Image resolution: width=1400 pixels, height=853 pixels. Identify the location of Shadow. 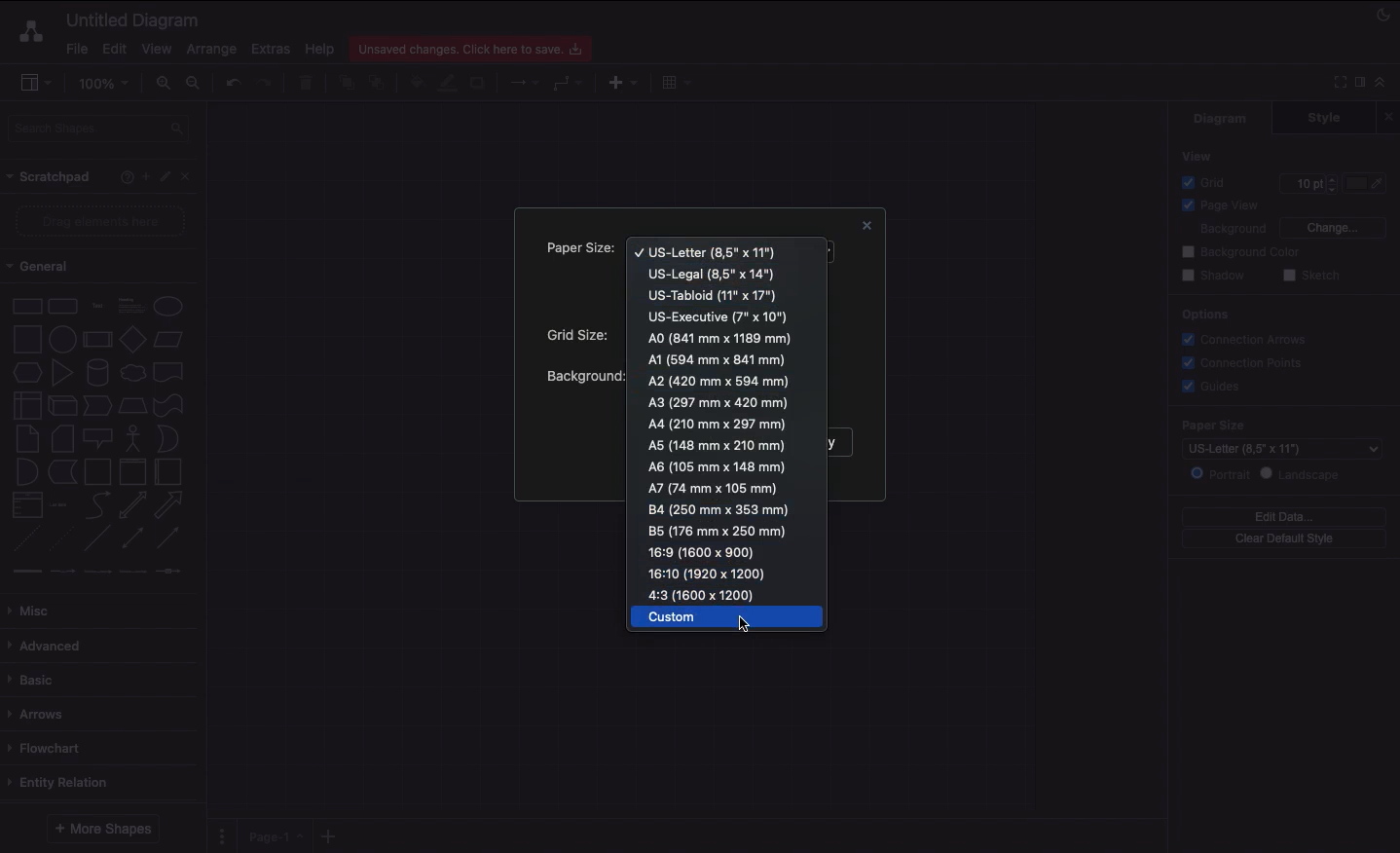
(1213, 275).